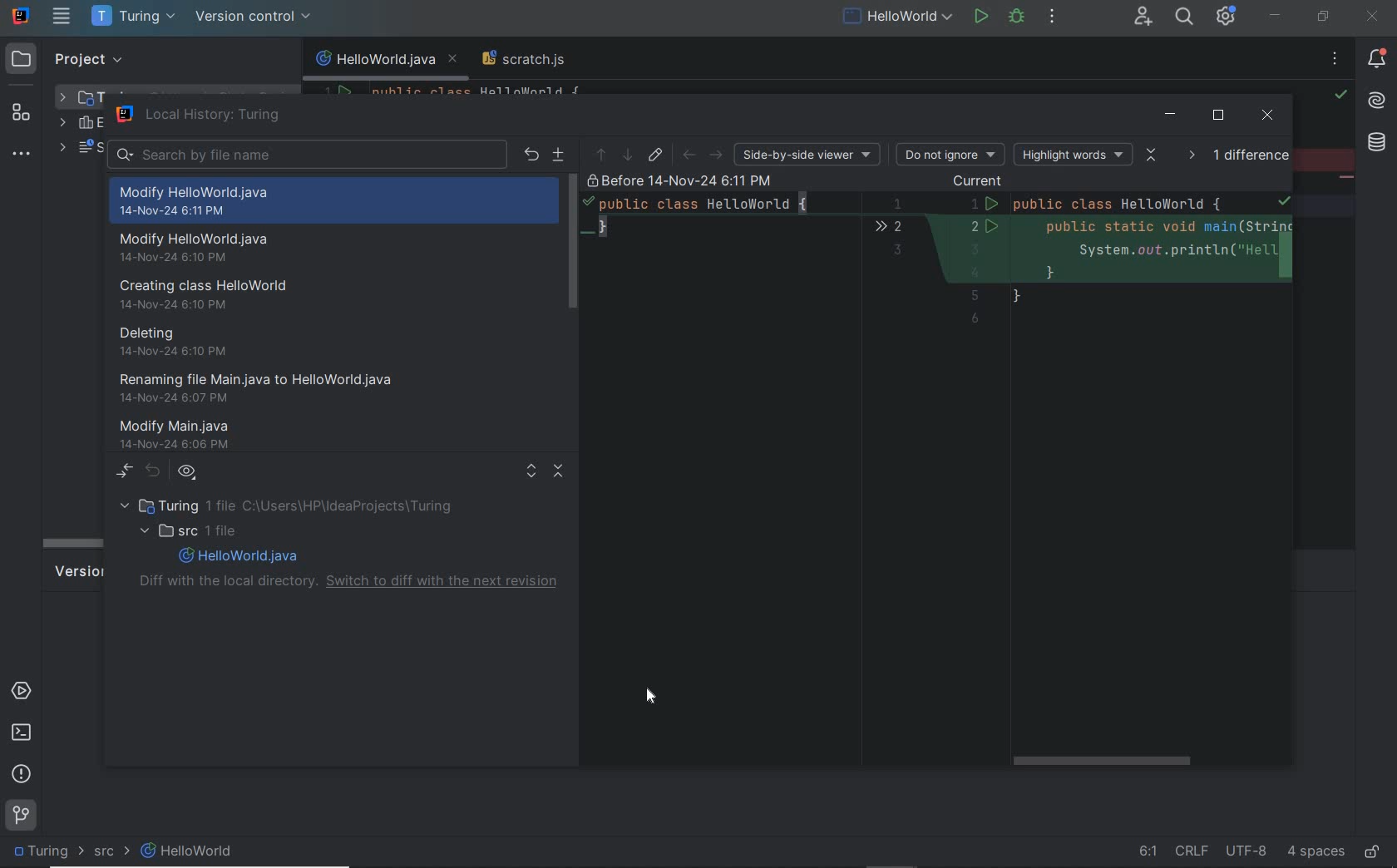 The height and width of the screenshot is (868, 1397). What do you see at coordinates (236, 556) in the screenshot?
I see `file name` at bounding box center [236, 556].